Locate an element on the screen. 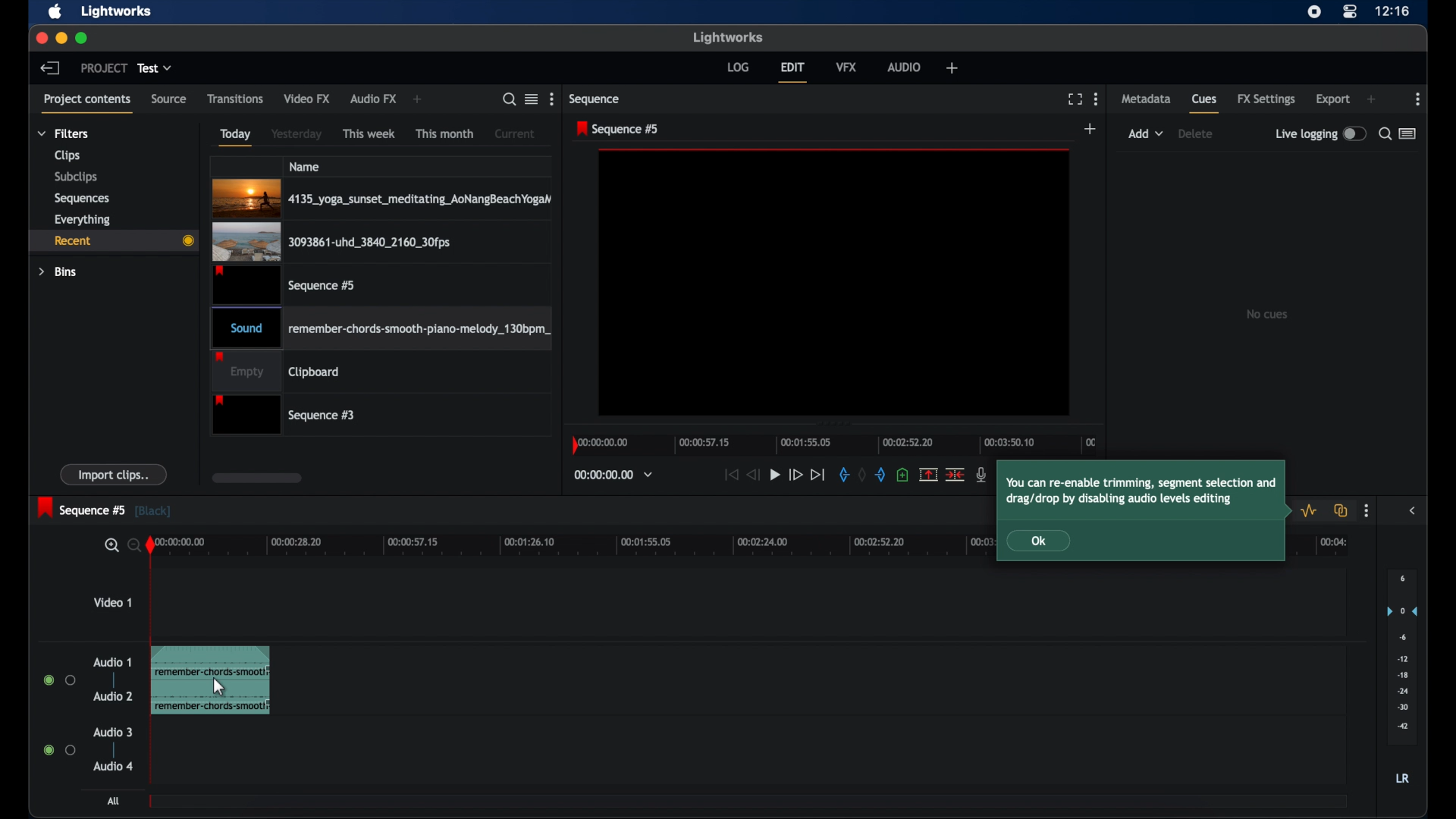 The width and height of the screenshot is (1456, 819). audio clip is located at coordinates (171, 682).